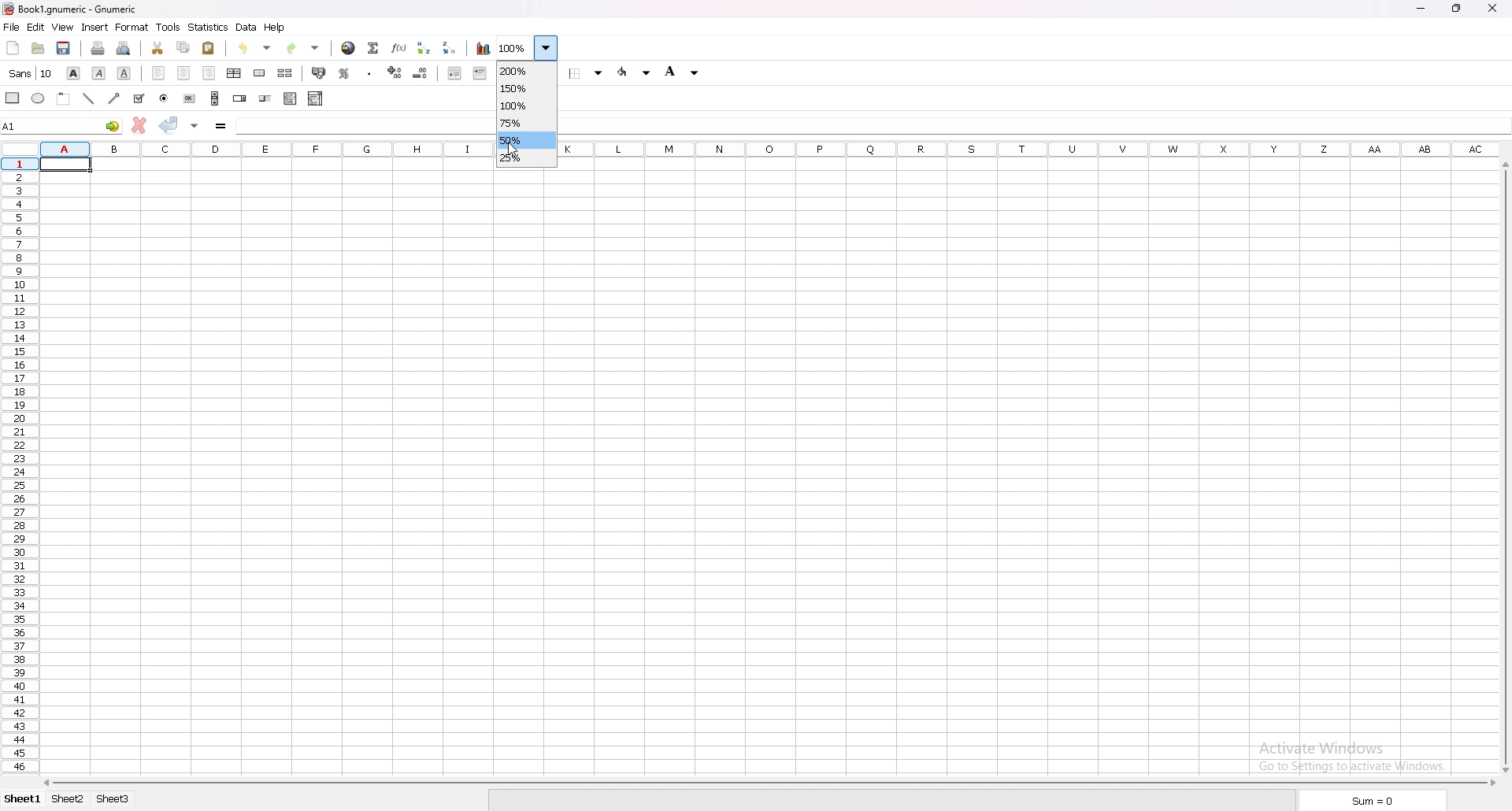 The image size is (1512, 811). What do you see at coordinates (524, 159) in the screenshot?
I see `25%` at bounding box center [524, 159].